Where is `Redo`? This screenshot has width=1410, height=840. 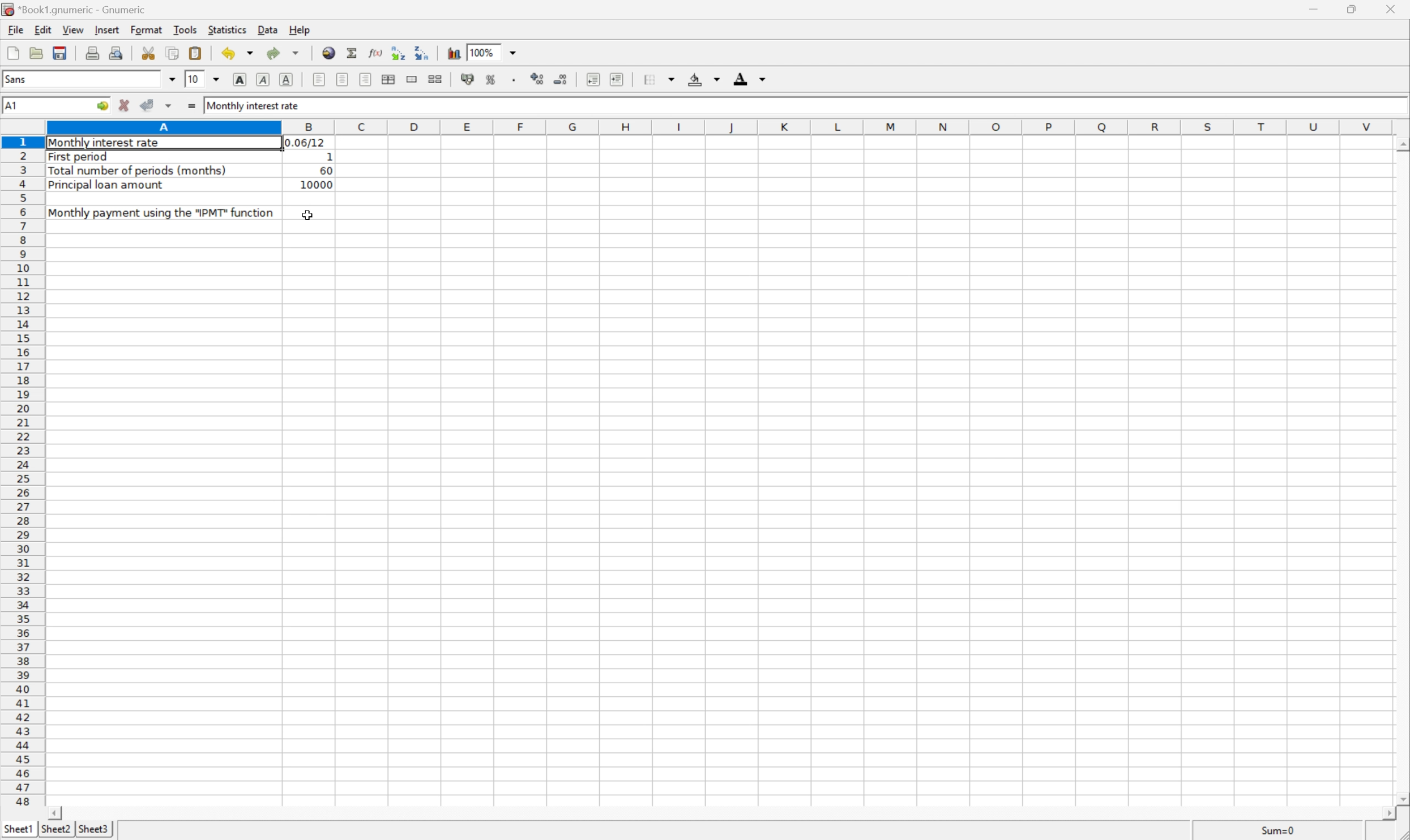
Redo is located at coordinates (284, 52).